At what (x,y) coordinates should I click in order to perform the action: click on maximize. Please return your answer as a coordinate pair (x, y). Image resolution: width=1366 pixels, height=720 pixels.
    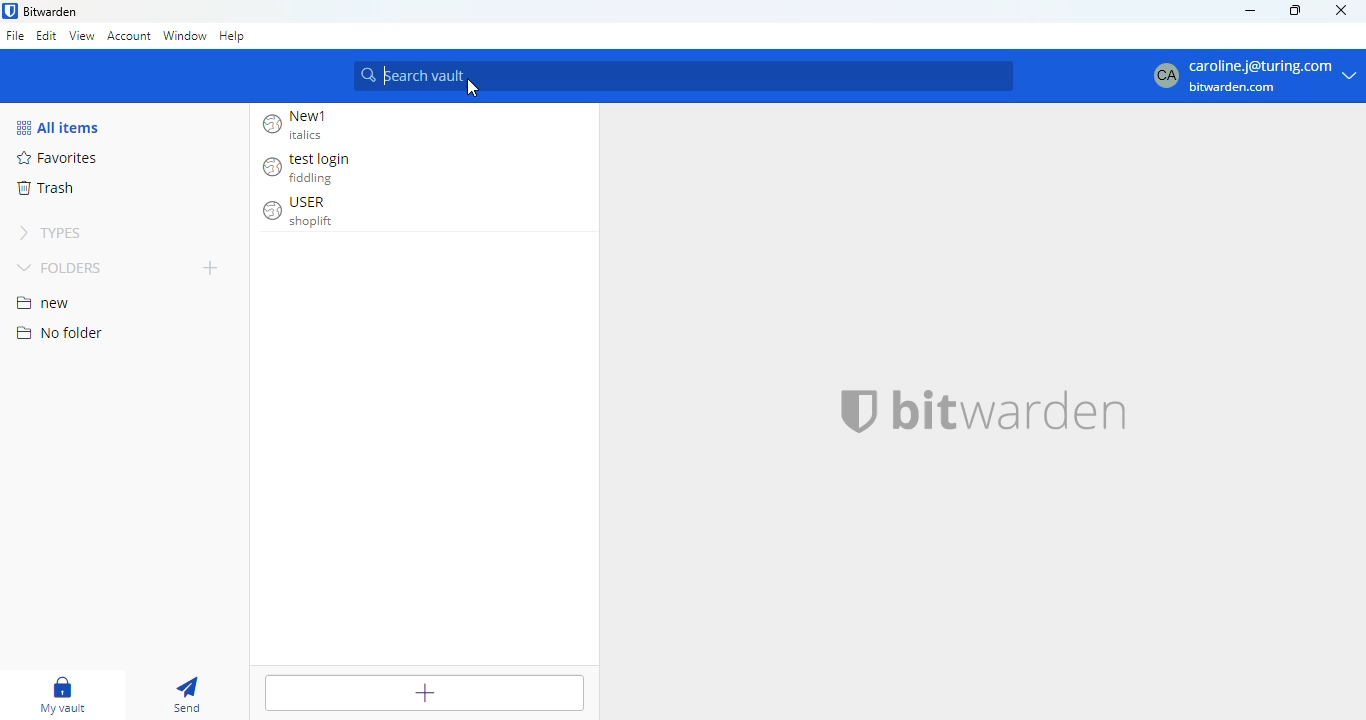
    Looking at the image, I should click on (1296, 10).